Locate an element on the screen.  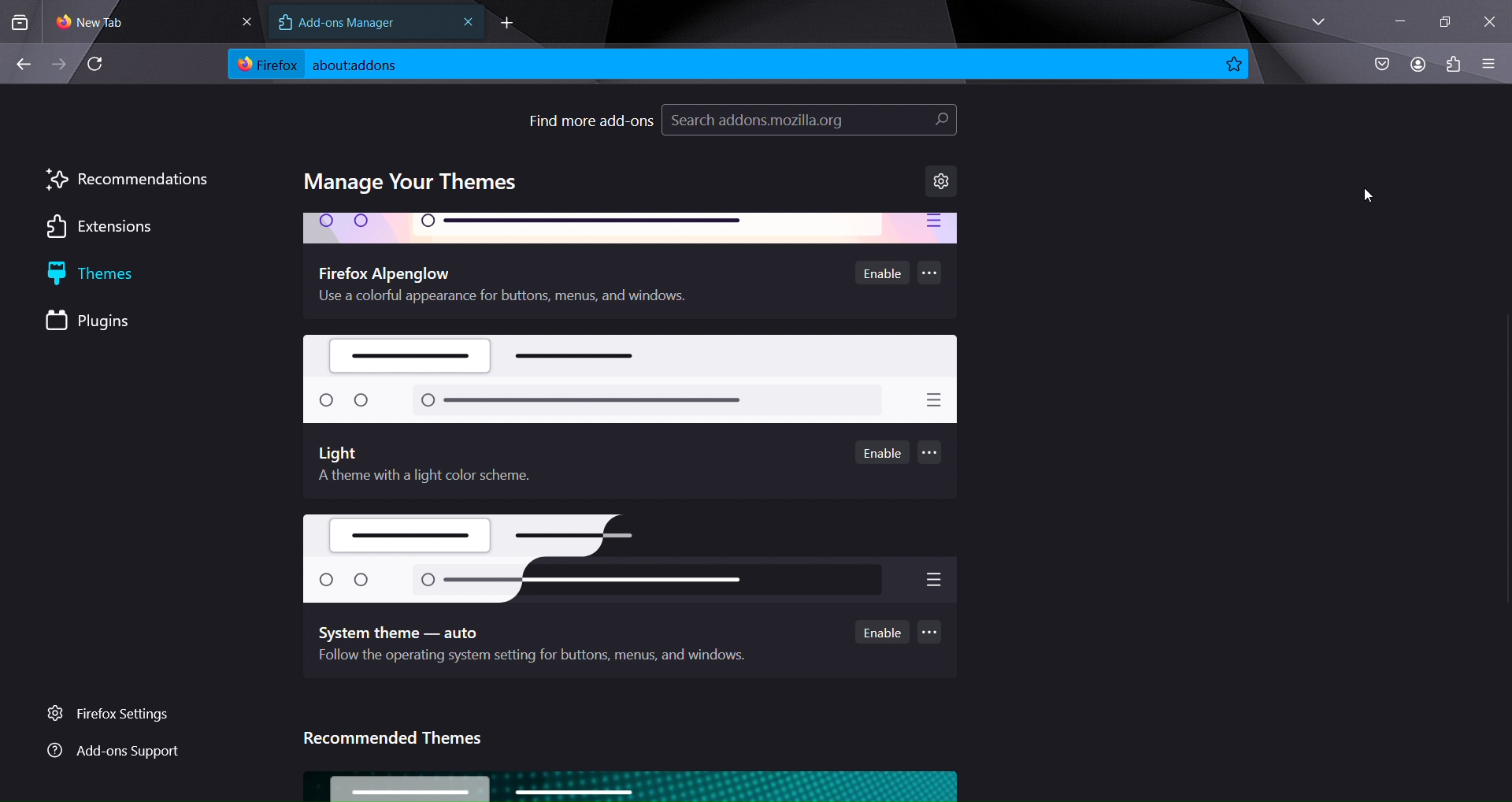
extensions is located at coordinates (108, 228).